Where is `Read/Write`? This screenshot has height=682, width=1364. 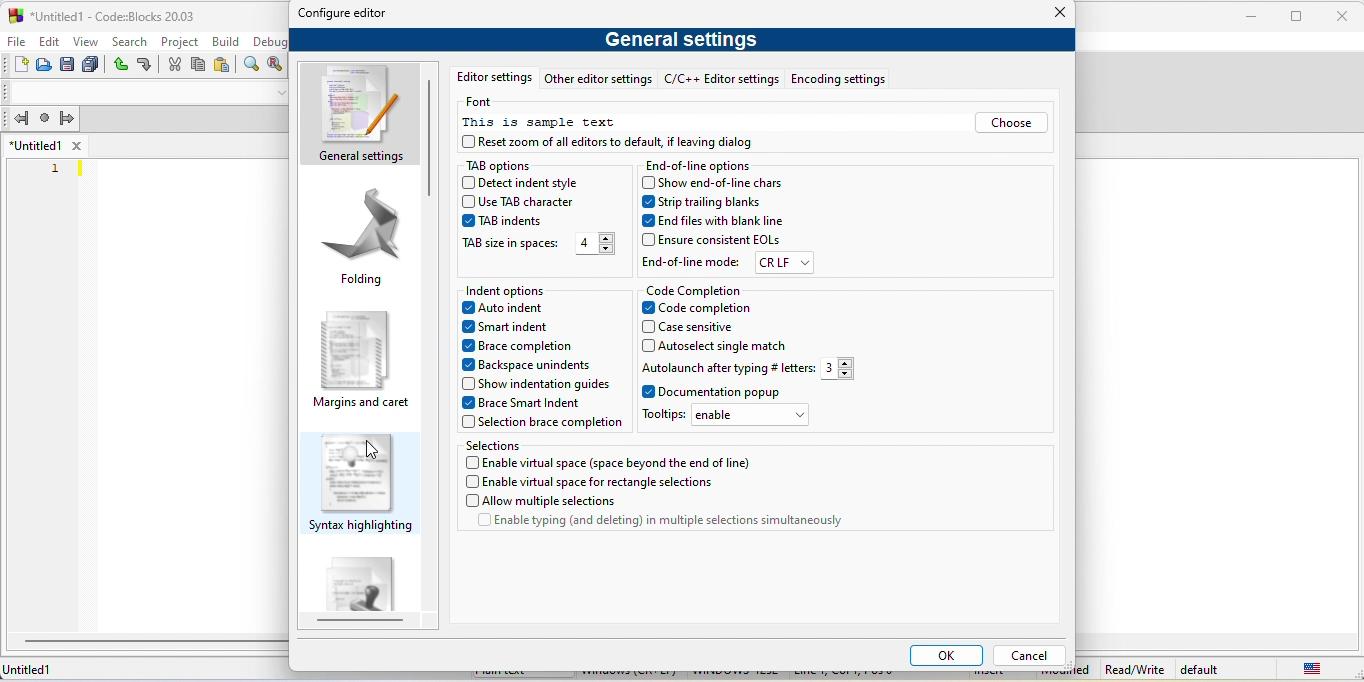
Read/Write is located at coordinates (1134, 669).